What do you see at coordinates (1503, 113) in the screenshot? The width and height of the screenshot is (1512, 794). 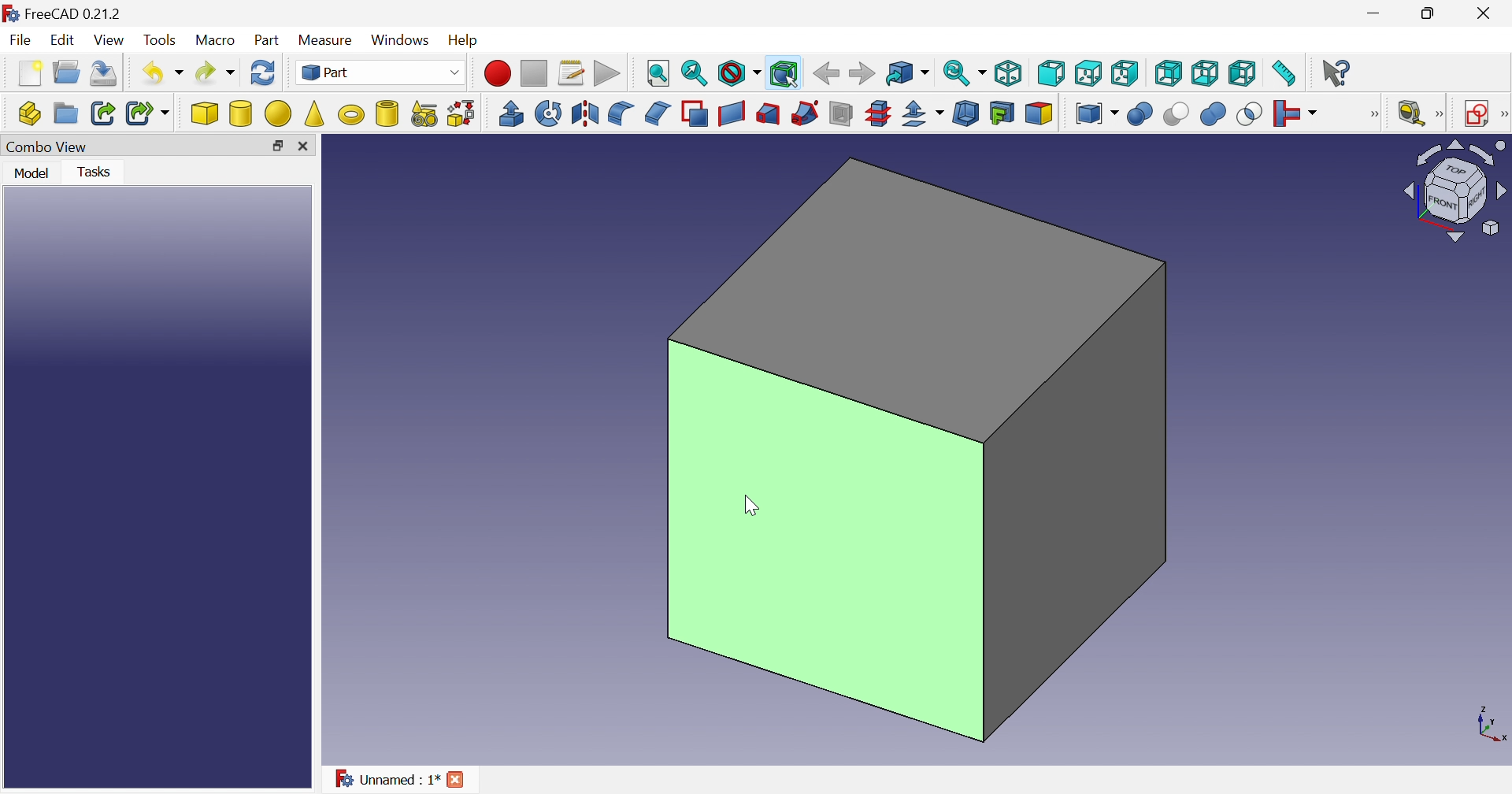 I see `[Sketcher]` at bounding box center [1503, 113].